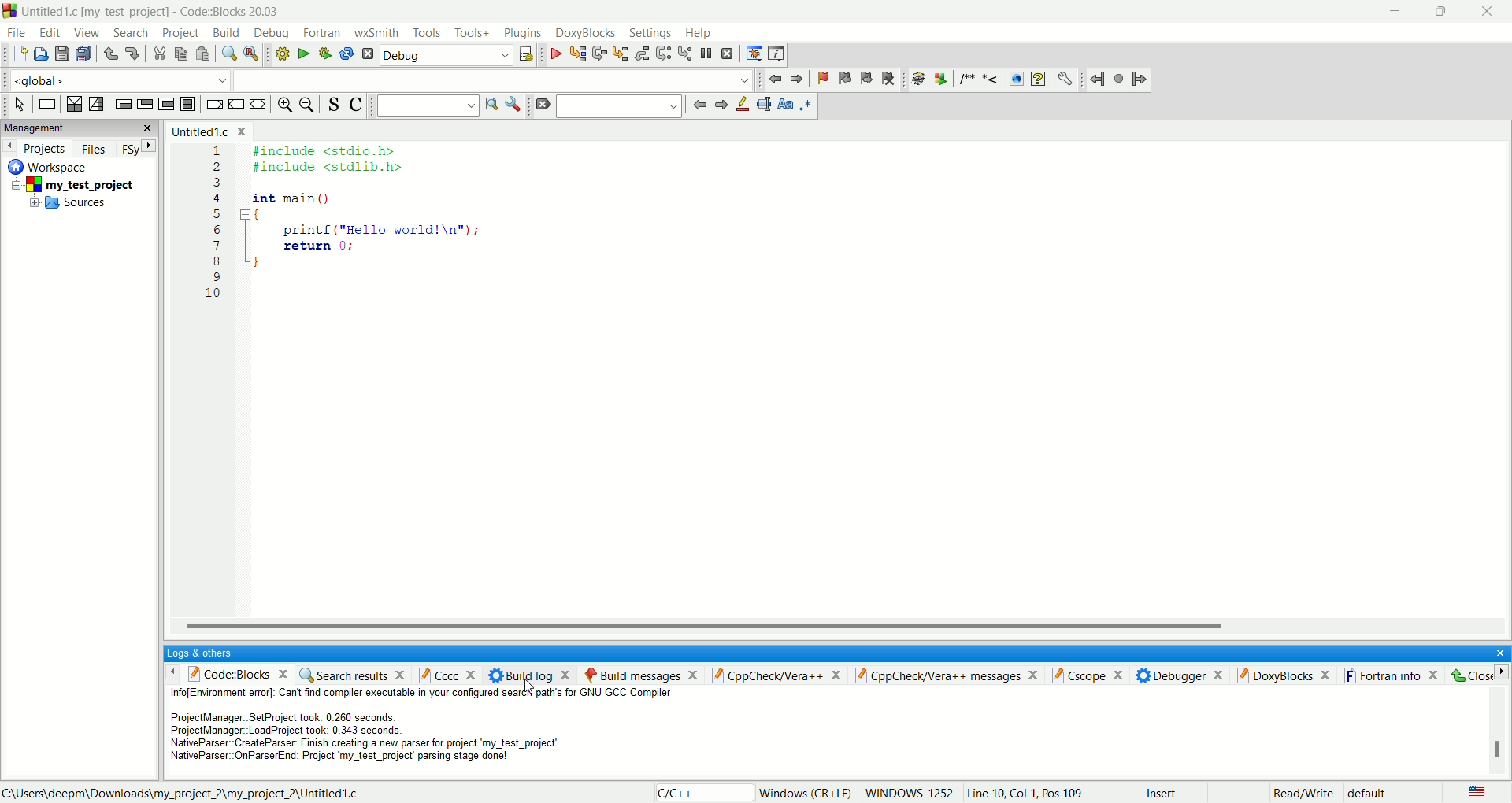  I want to click on build, so click(227, 32).